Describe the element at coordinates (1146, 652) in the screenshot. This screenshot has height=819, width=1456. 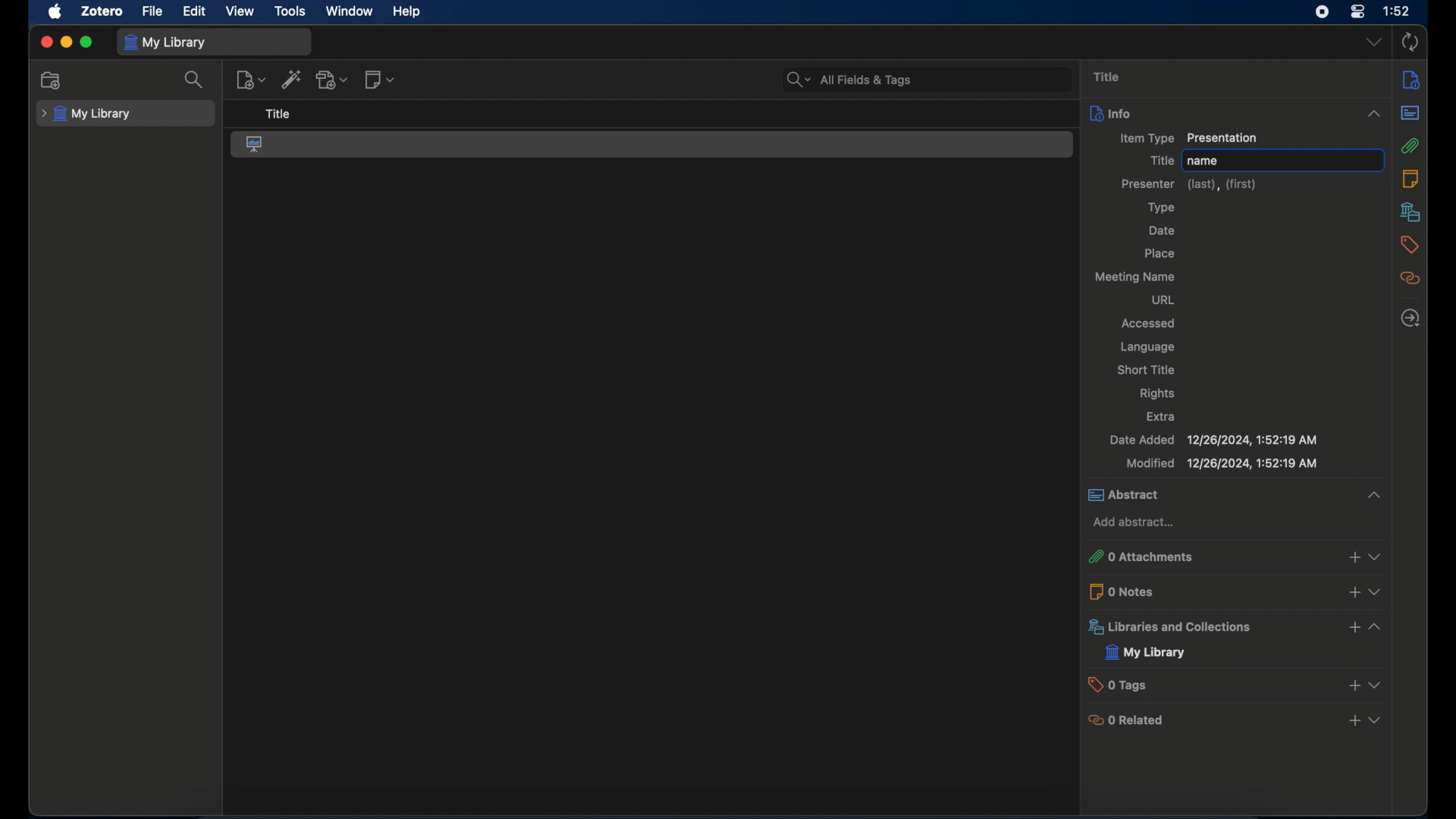
I see `my library` at that location.